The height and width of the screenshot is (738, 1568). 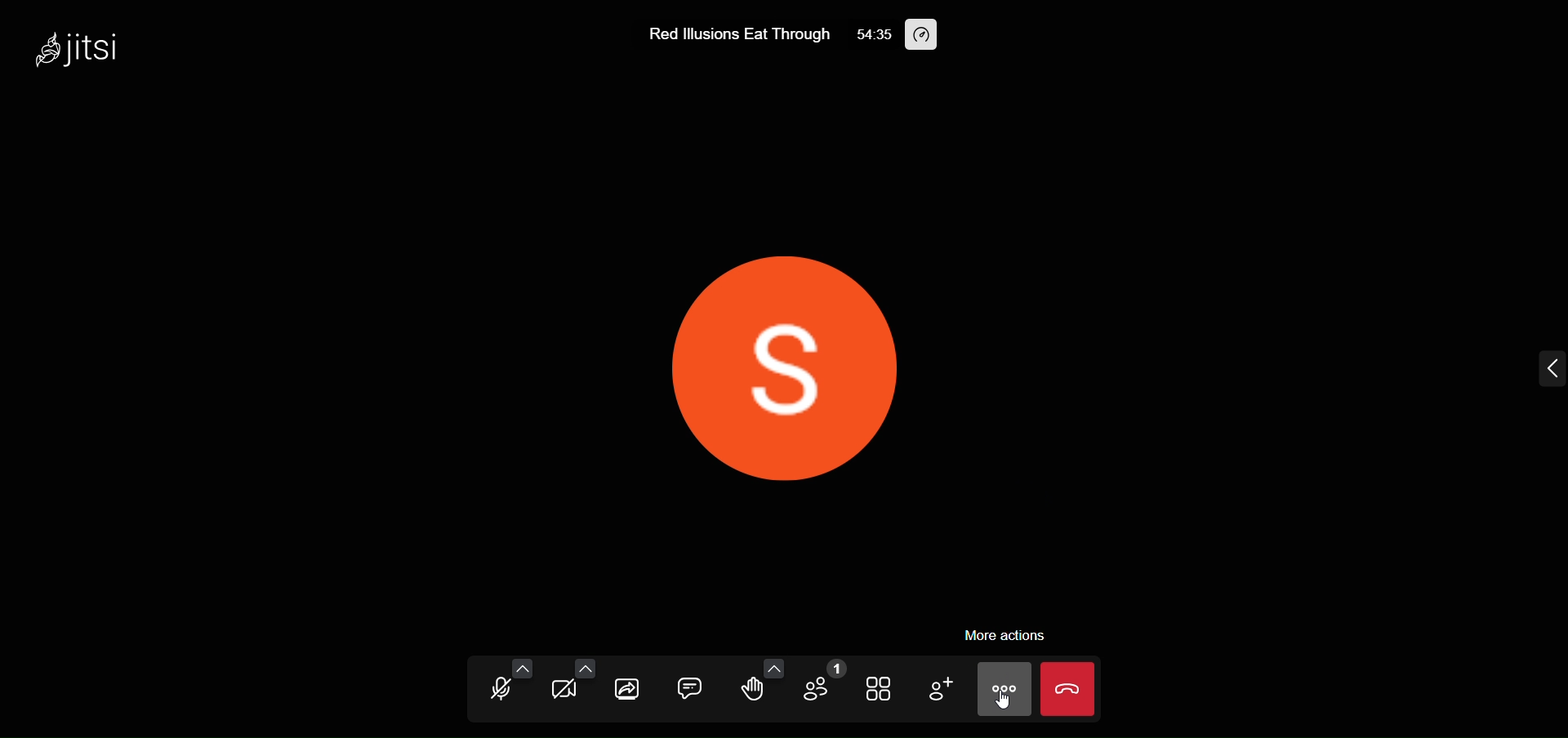 I want to click on more audio option, so click(x=525, y=669).